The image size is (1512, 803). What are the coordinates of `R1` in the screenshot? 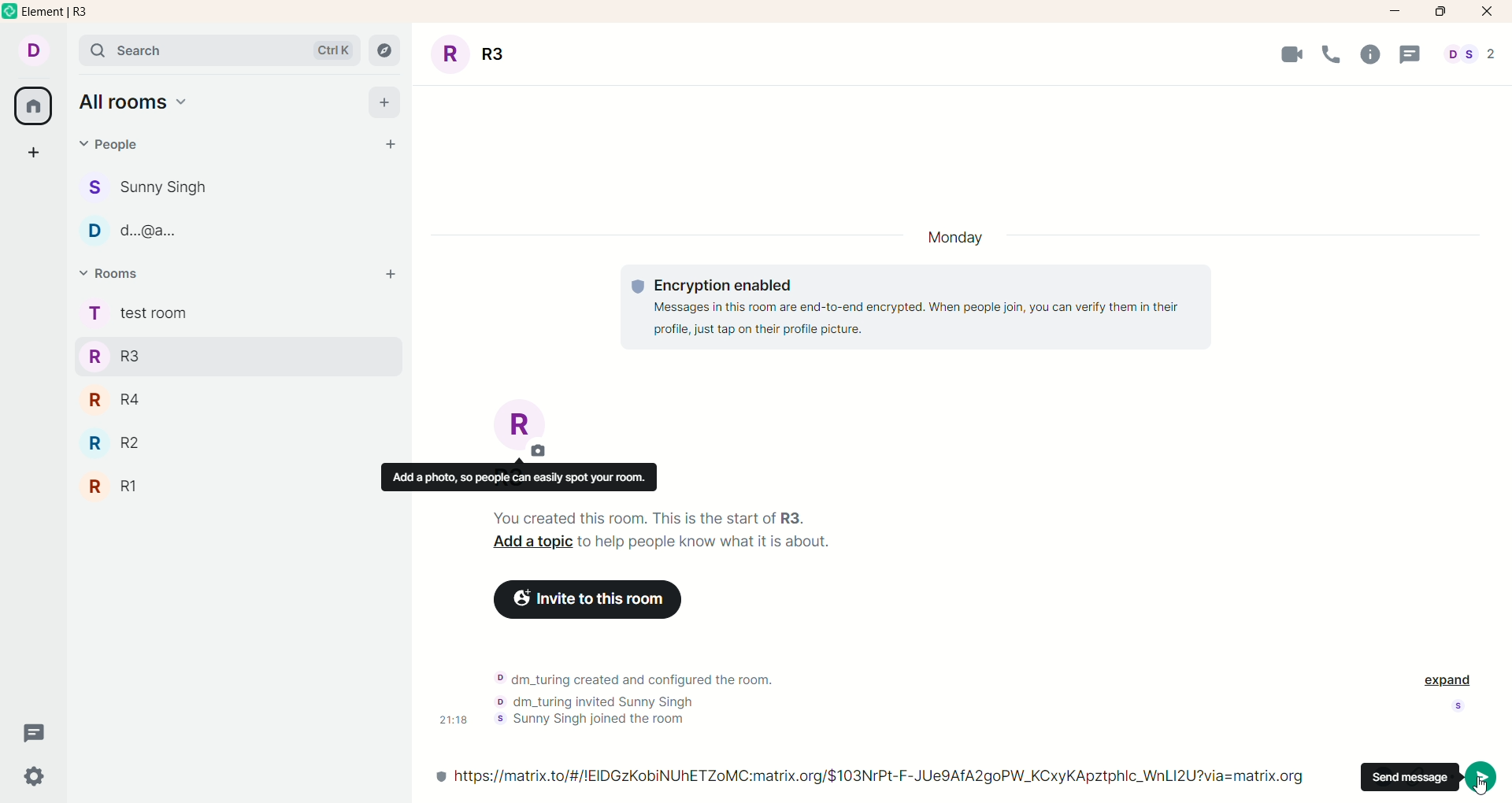 It's located at (129, 487).